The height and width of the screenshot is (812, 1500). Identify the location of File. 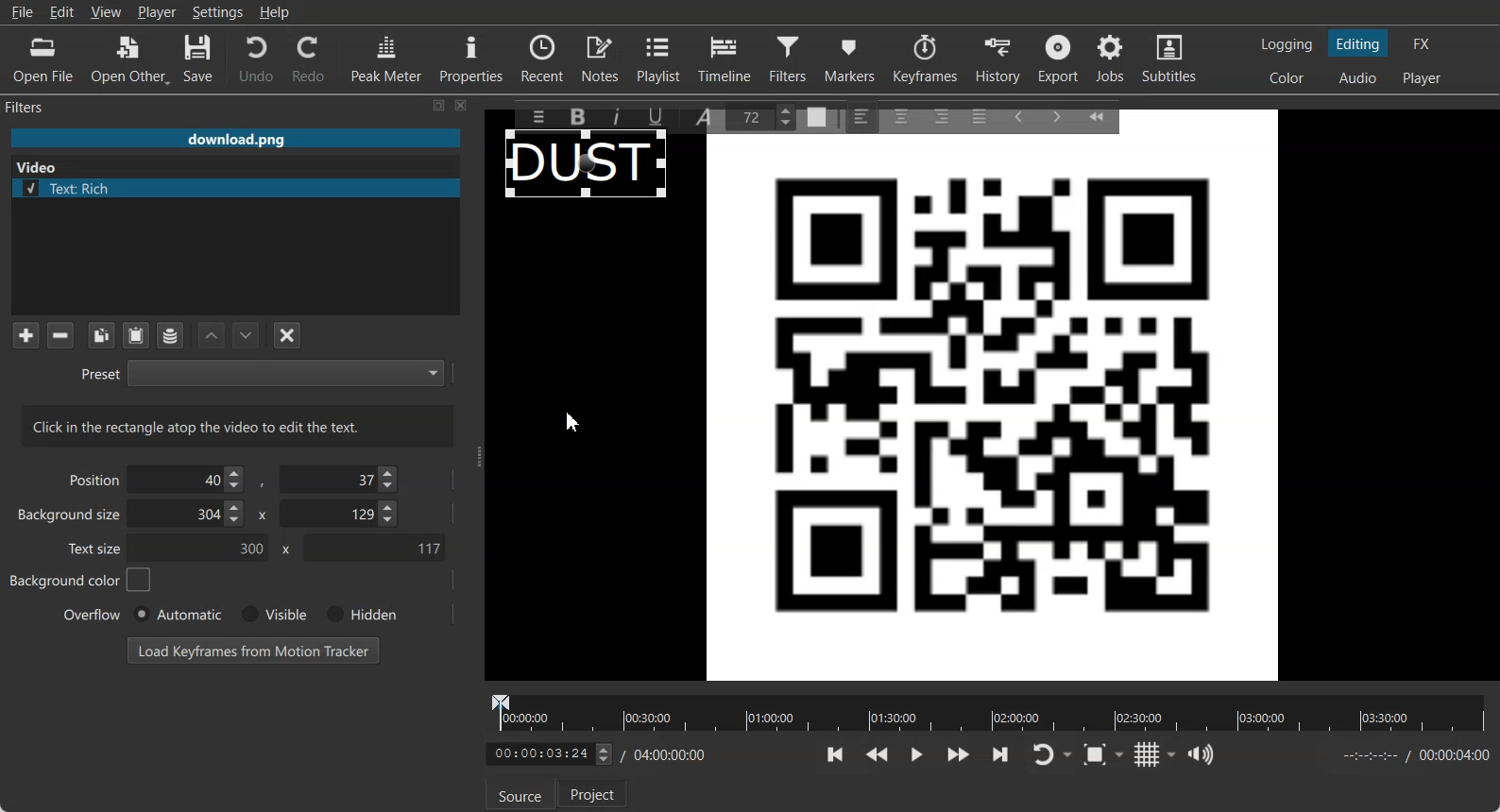
(235, 140).